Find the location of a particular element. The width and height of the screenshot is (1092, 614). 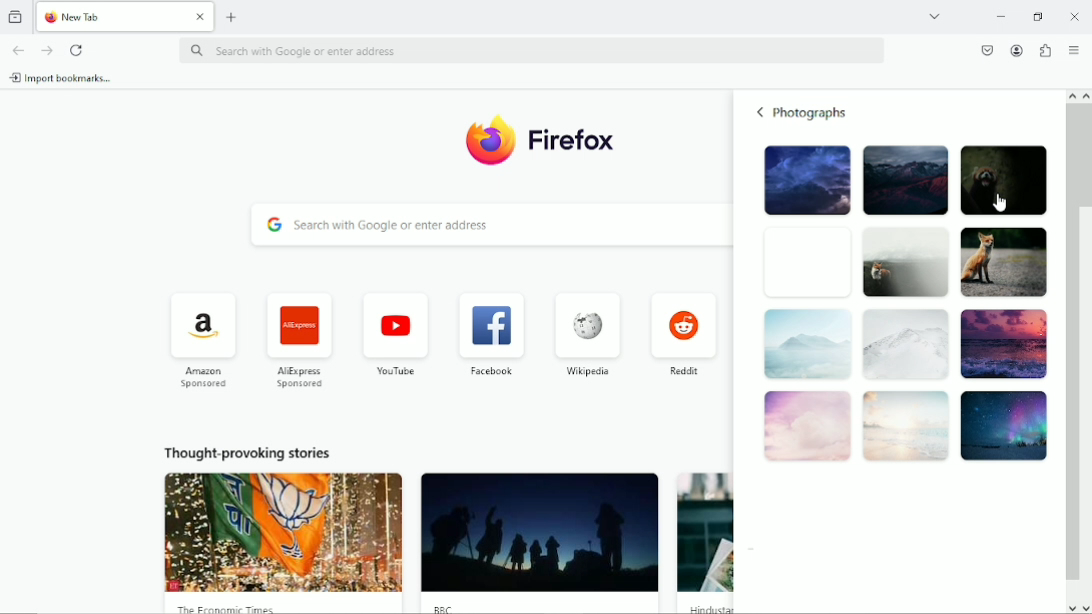

New tab is located at coordinates (111, 16).